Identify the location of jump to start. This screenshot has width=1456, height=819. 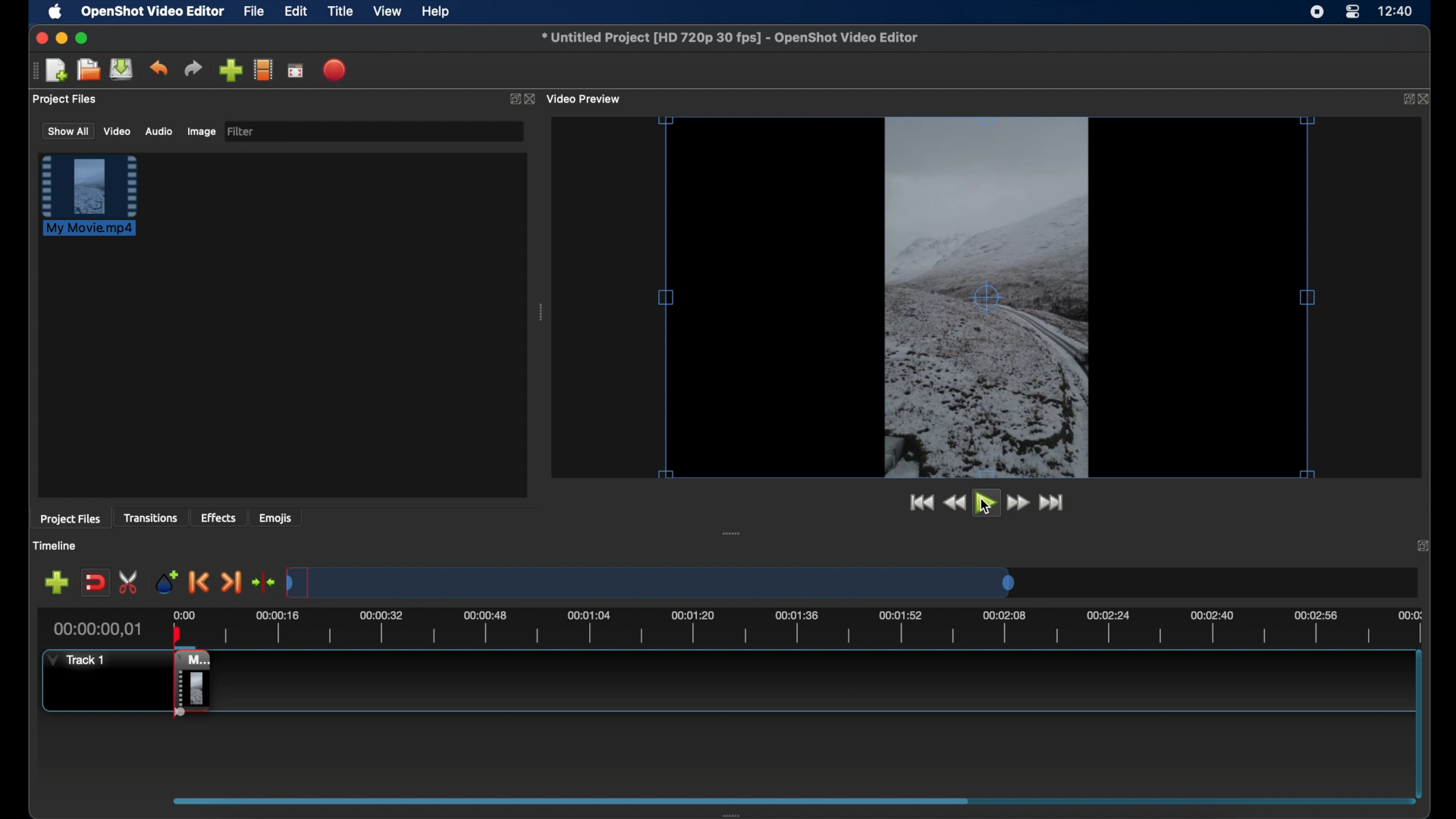
(918, 502).